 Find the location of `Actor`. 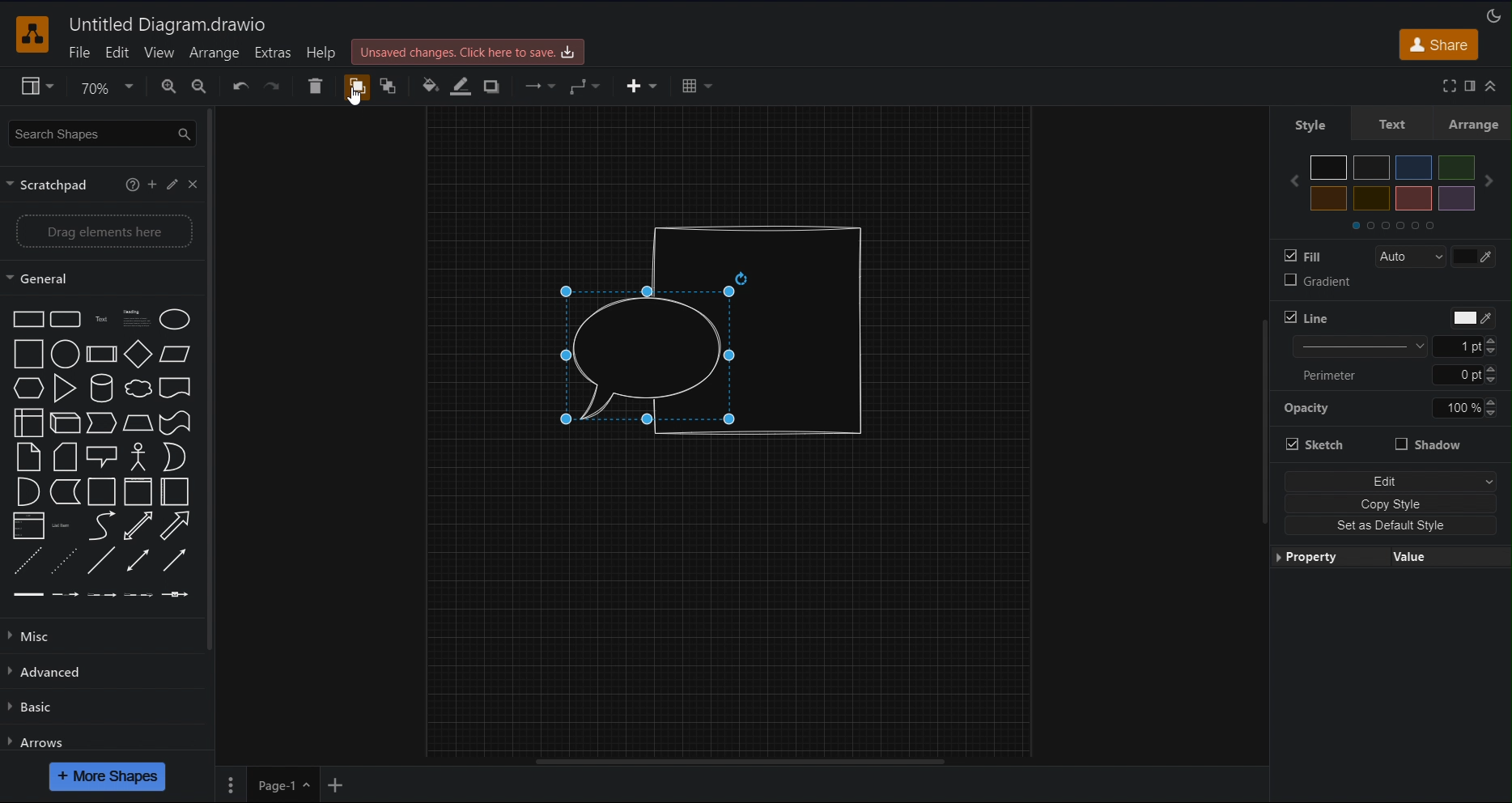

Actor is located at coordinates (138, 457).